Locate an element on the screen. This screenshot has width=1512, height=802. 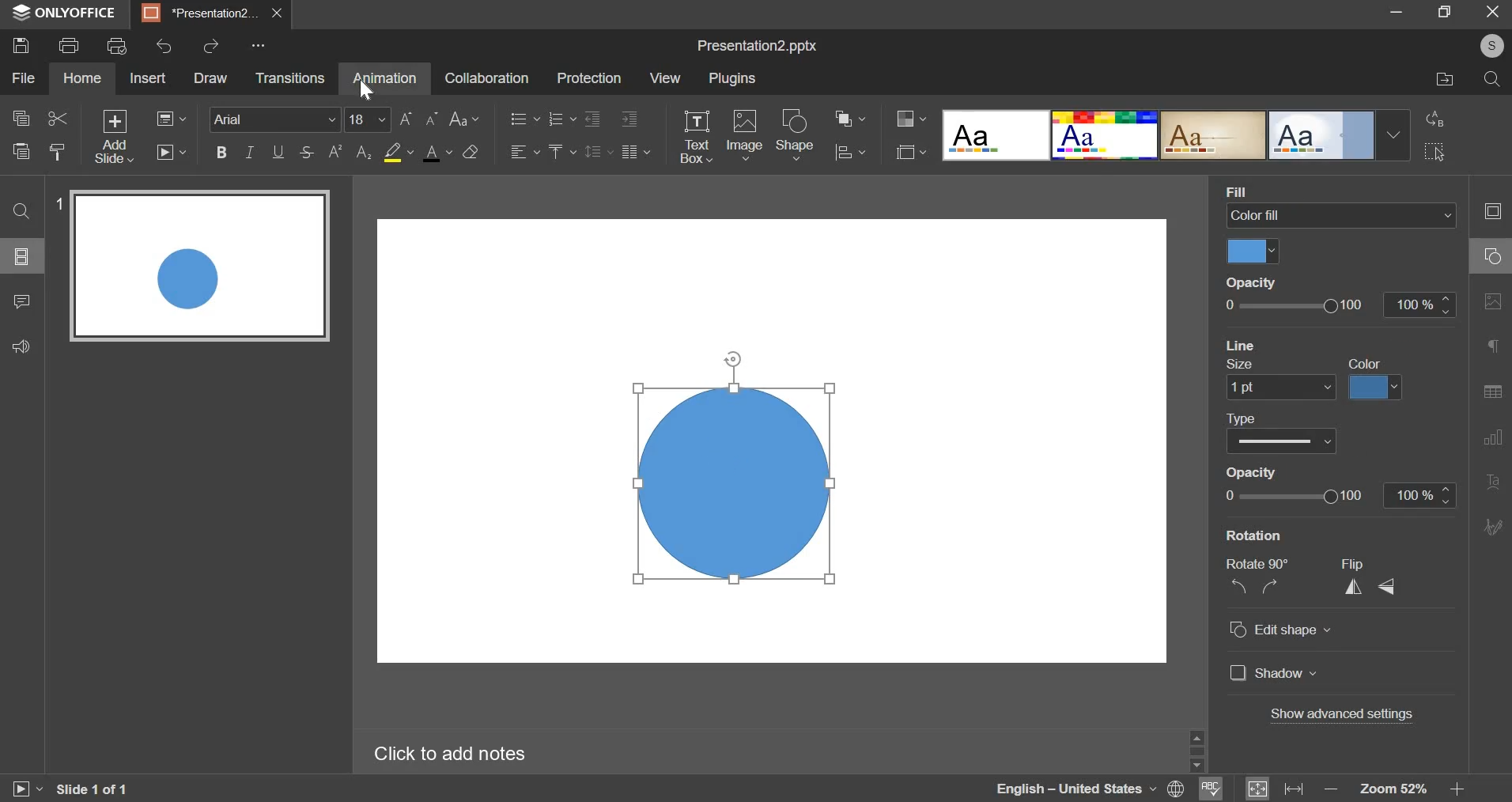
highlight color is located at coordinates (400, 153).